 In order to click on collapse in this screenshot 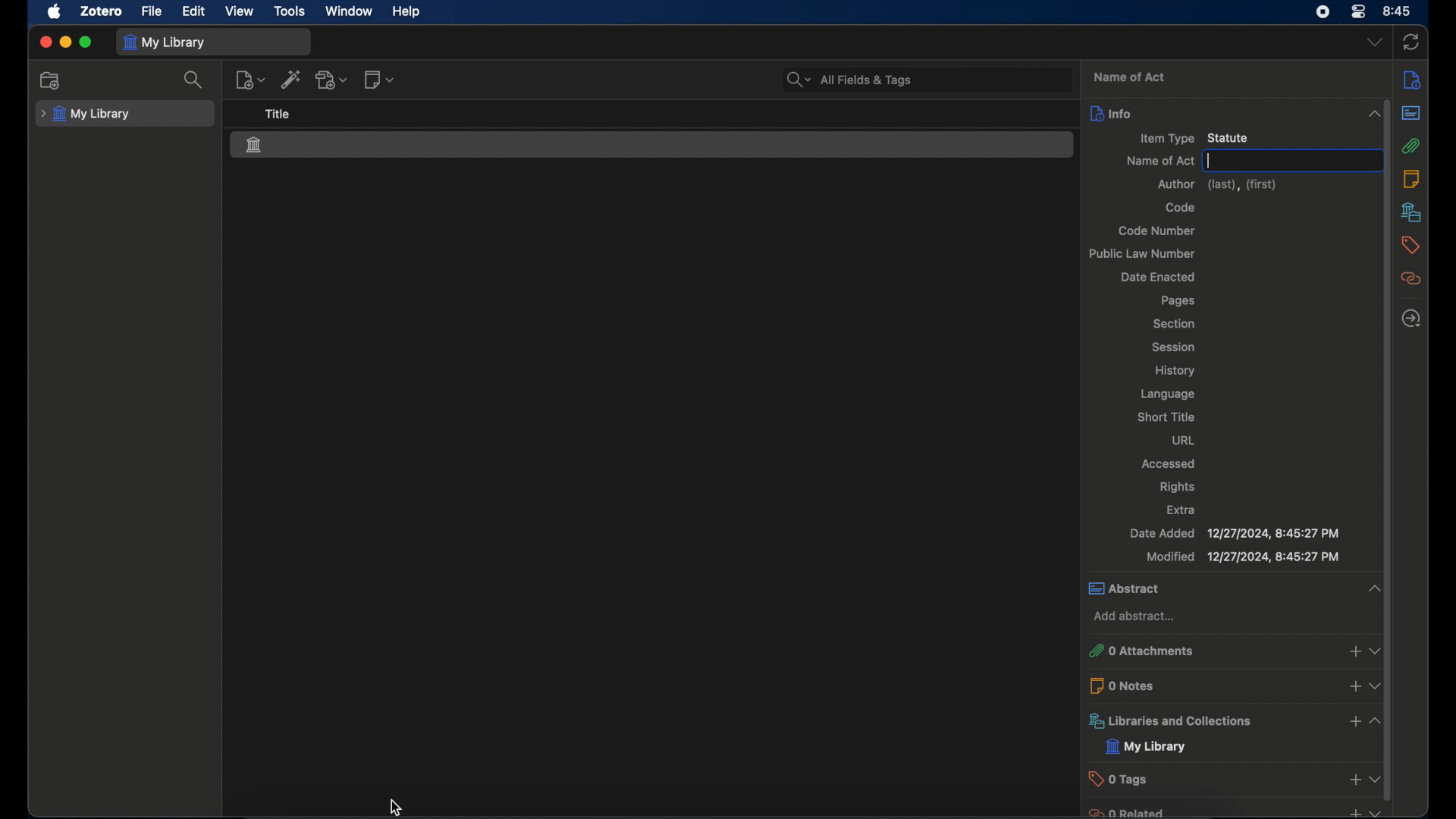, I will do `click(1375, 588)`.